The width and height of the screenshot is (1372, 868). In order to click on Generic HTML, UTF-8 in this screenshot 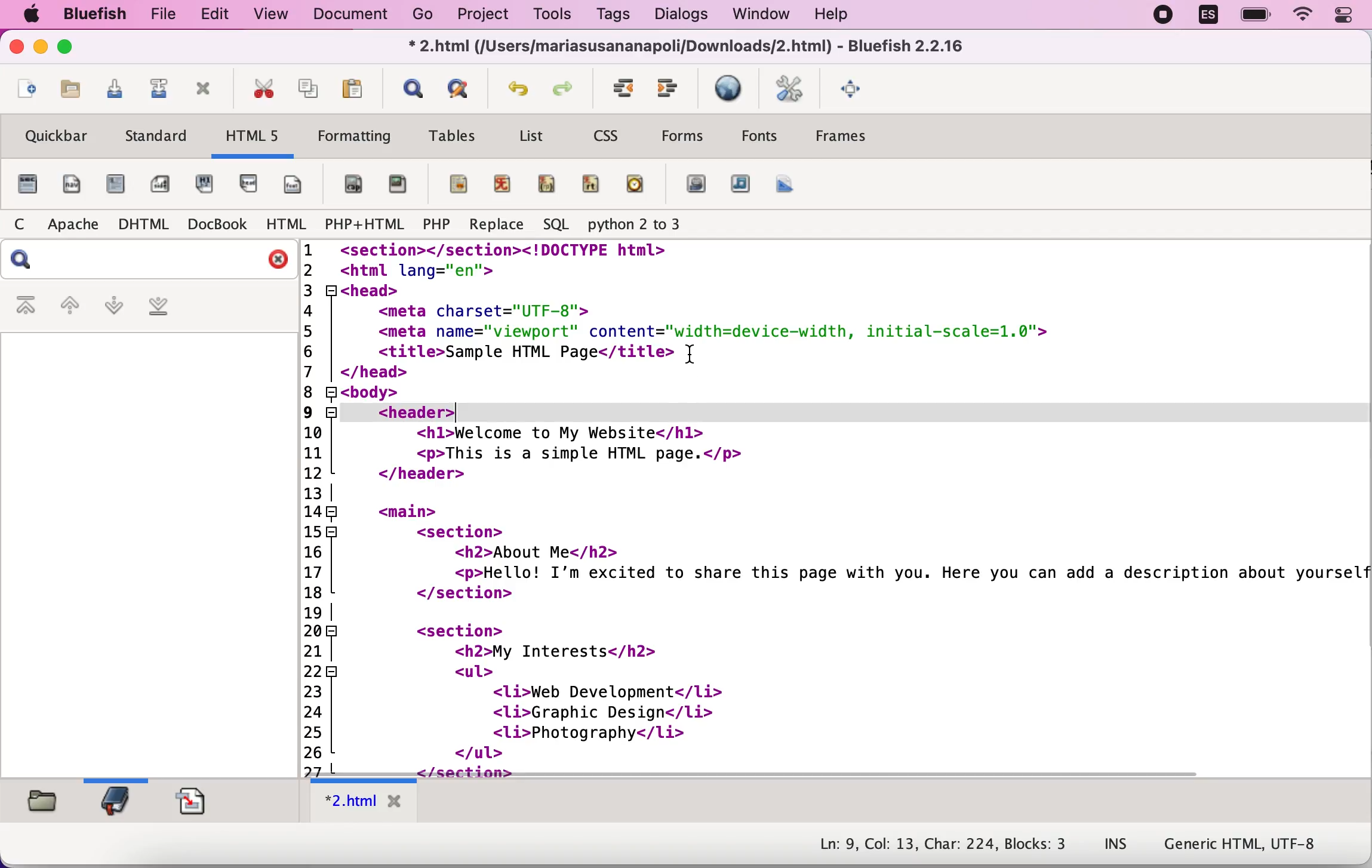, I will do `click(1245, 847)`.